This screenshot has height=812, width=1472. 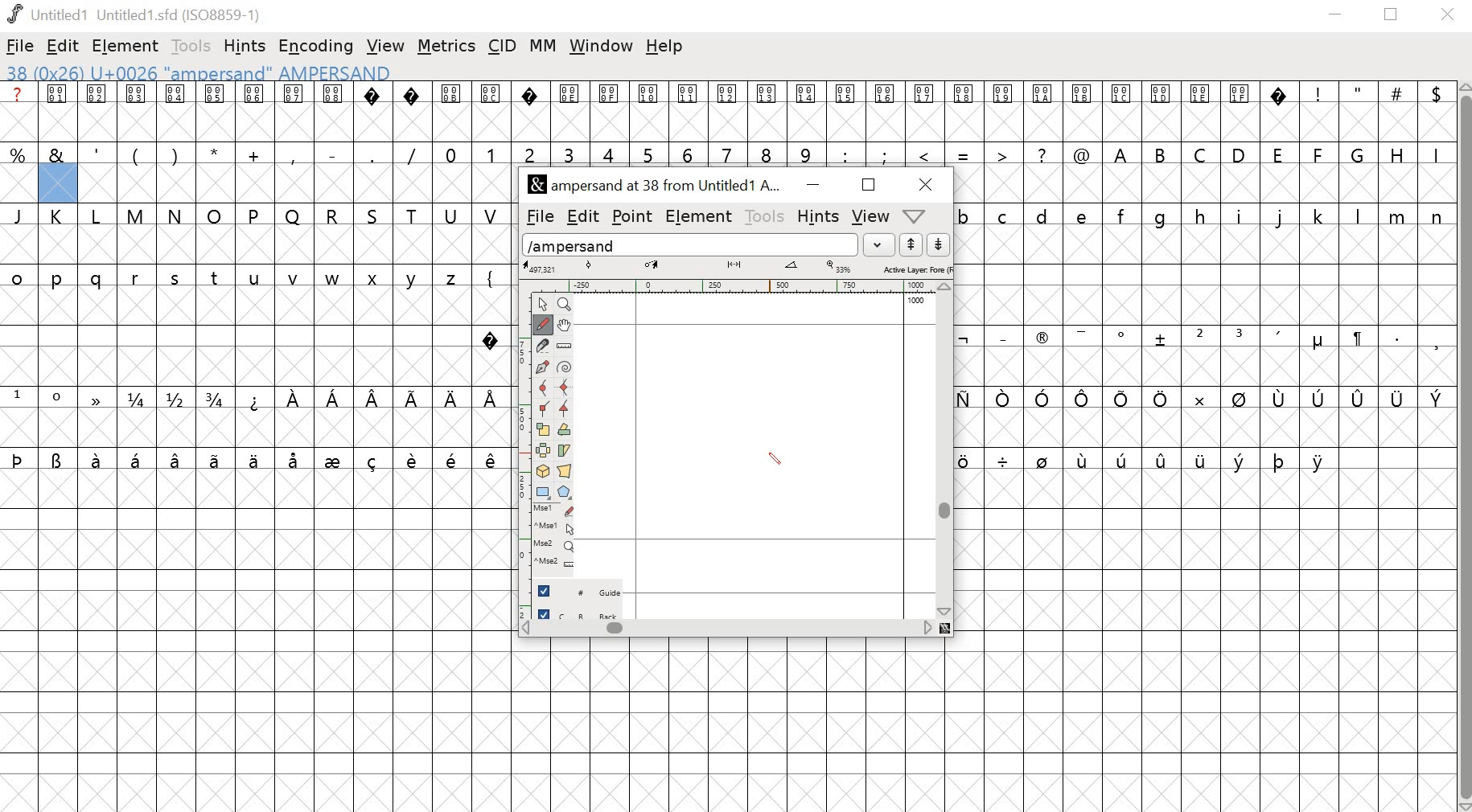 I want to click on *, so click(x=215, y=154).